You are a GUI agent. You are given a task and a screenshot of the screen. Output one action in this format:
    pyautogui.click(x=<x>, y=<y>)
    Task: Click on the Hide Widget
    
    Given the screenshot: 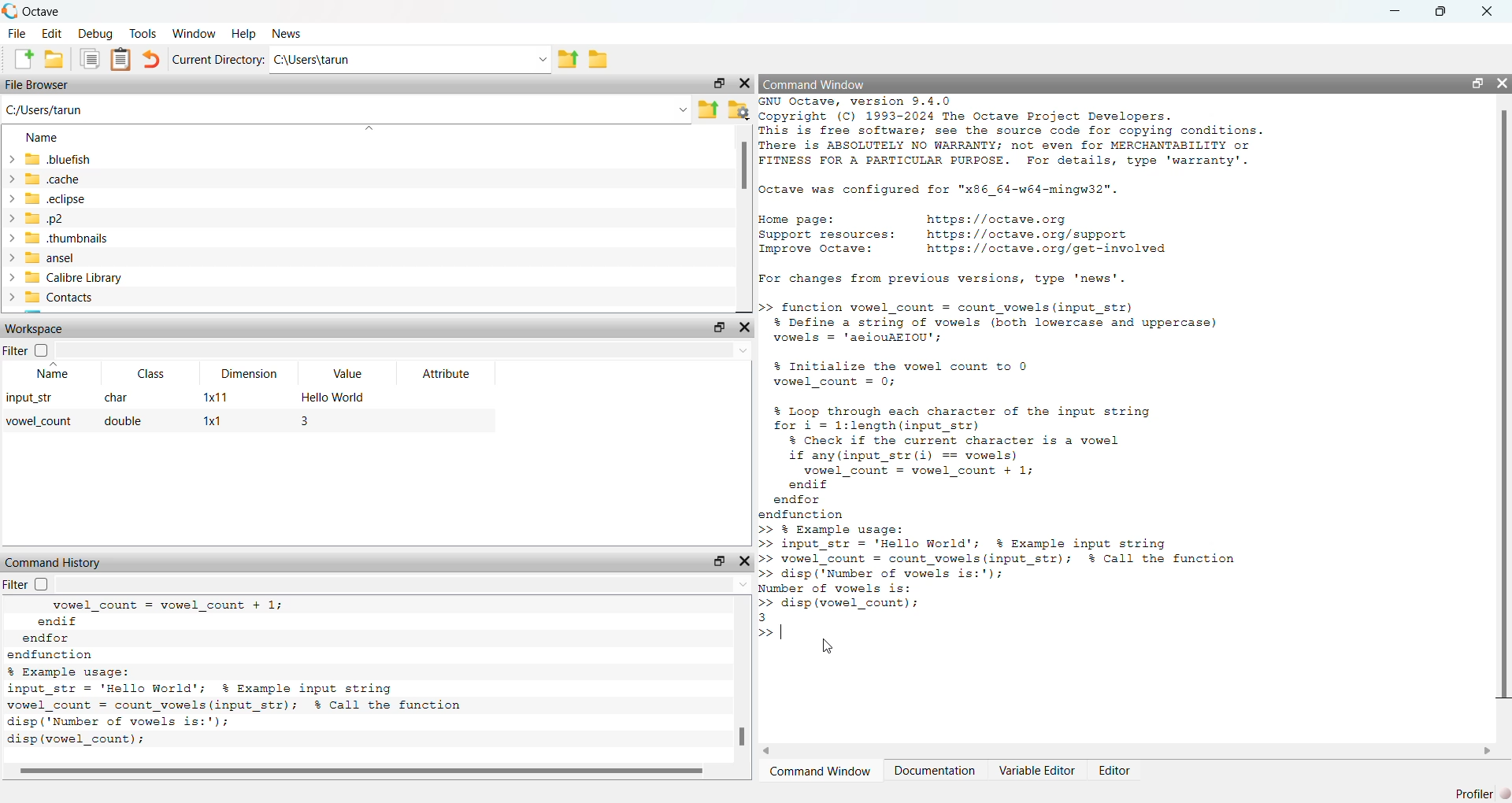 What is the action you would take?
    pyautogui.click(x=745, y=83)
    